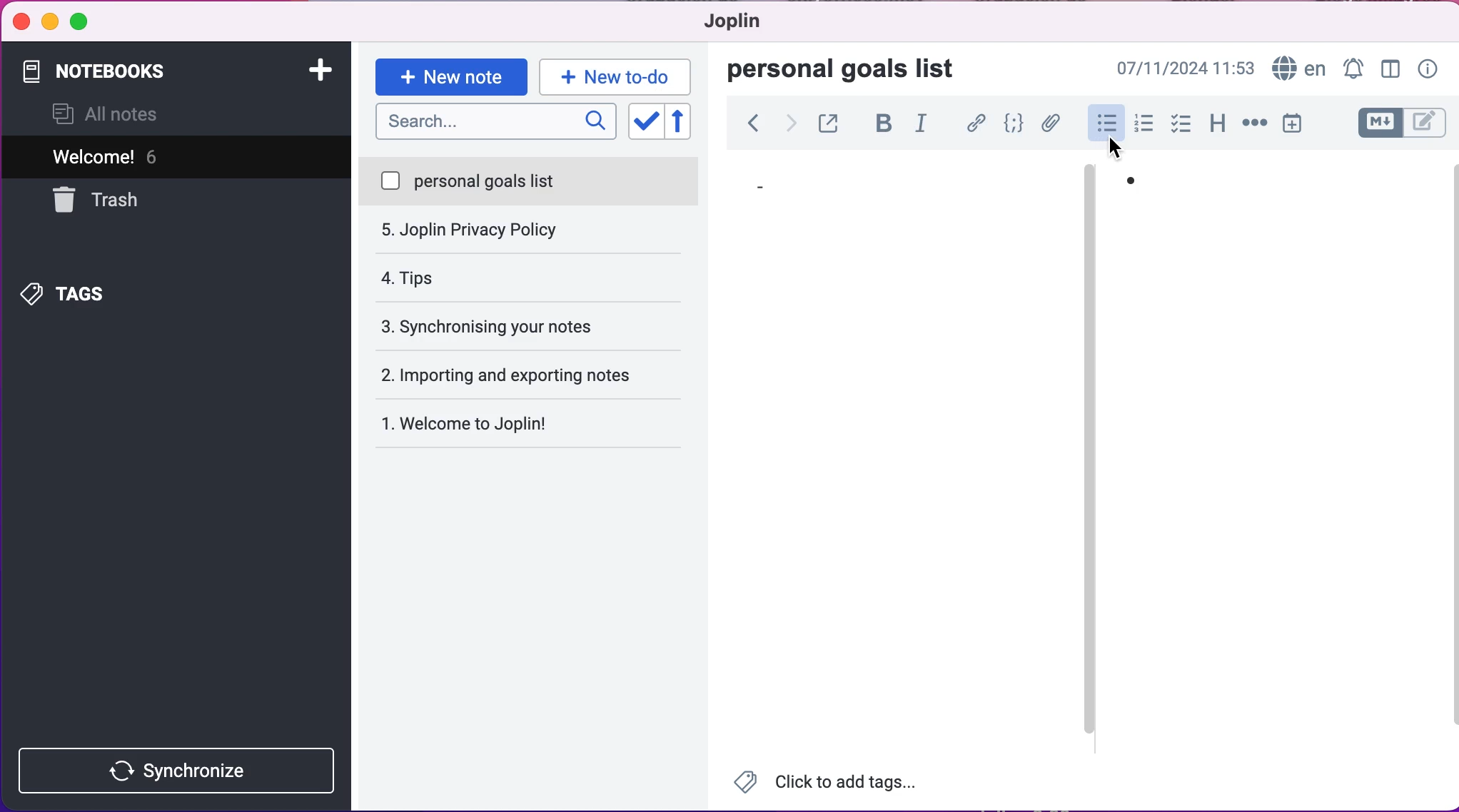 This screenshot has width=1459, height=812. I want to click on close, so click(21, 21).